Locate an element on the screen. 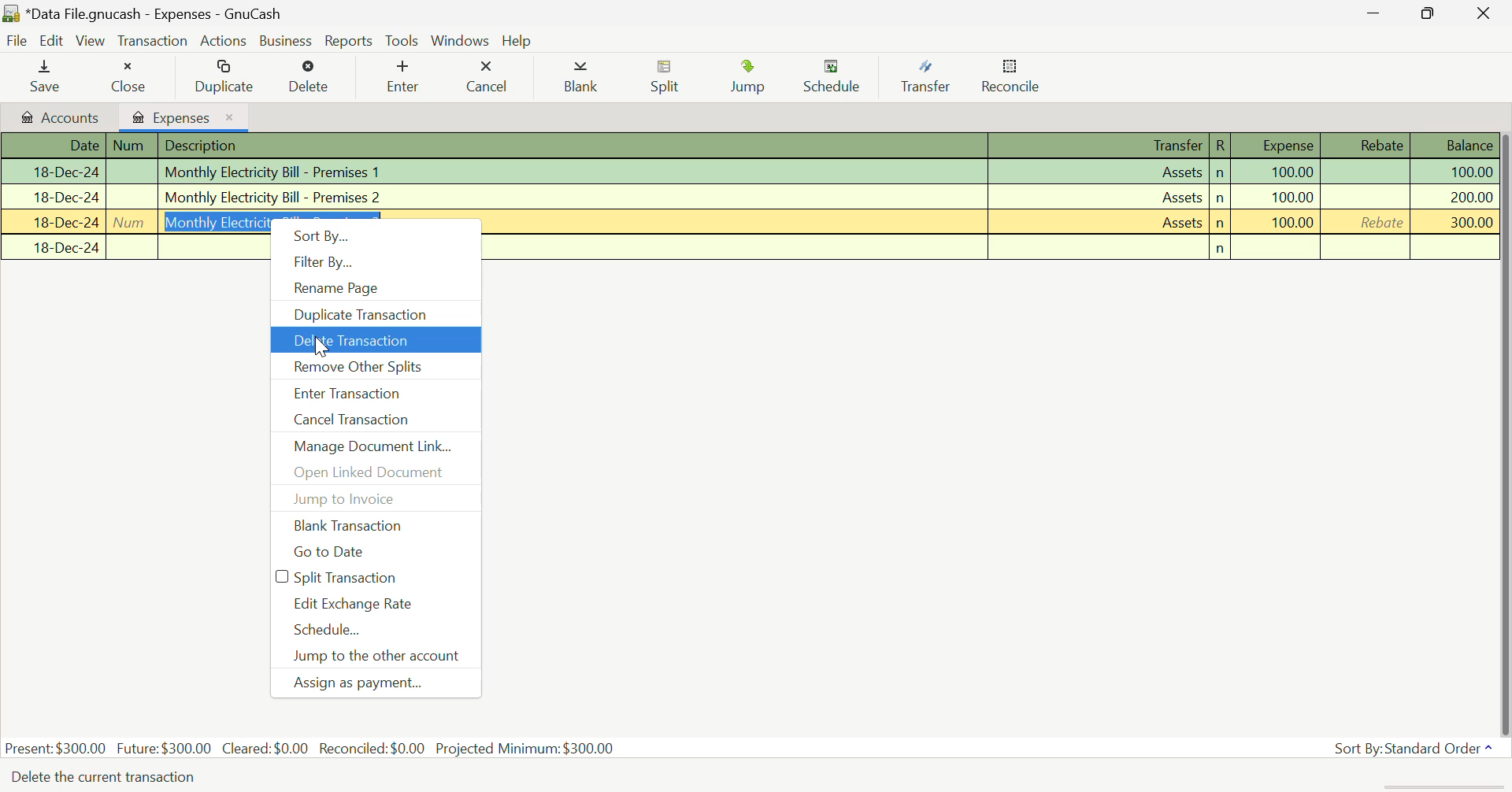 The image size is (1512, 792). Edit Exchange Rate is located at coordinates (375, 604).